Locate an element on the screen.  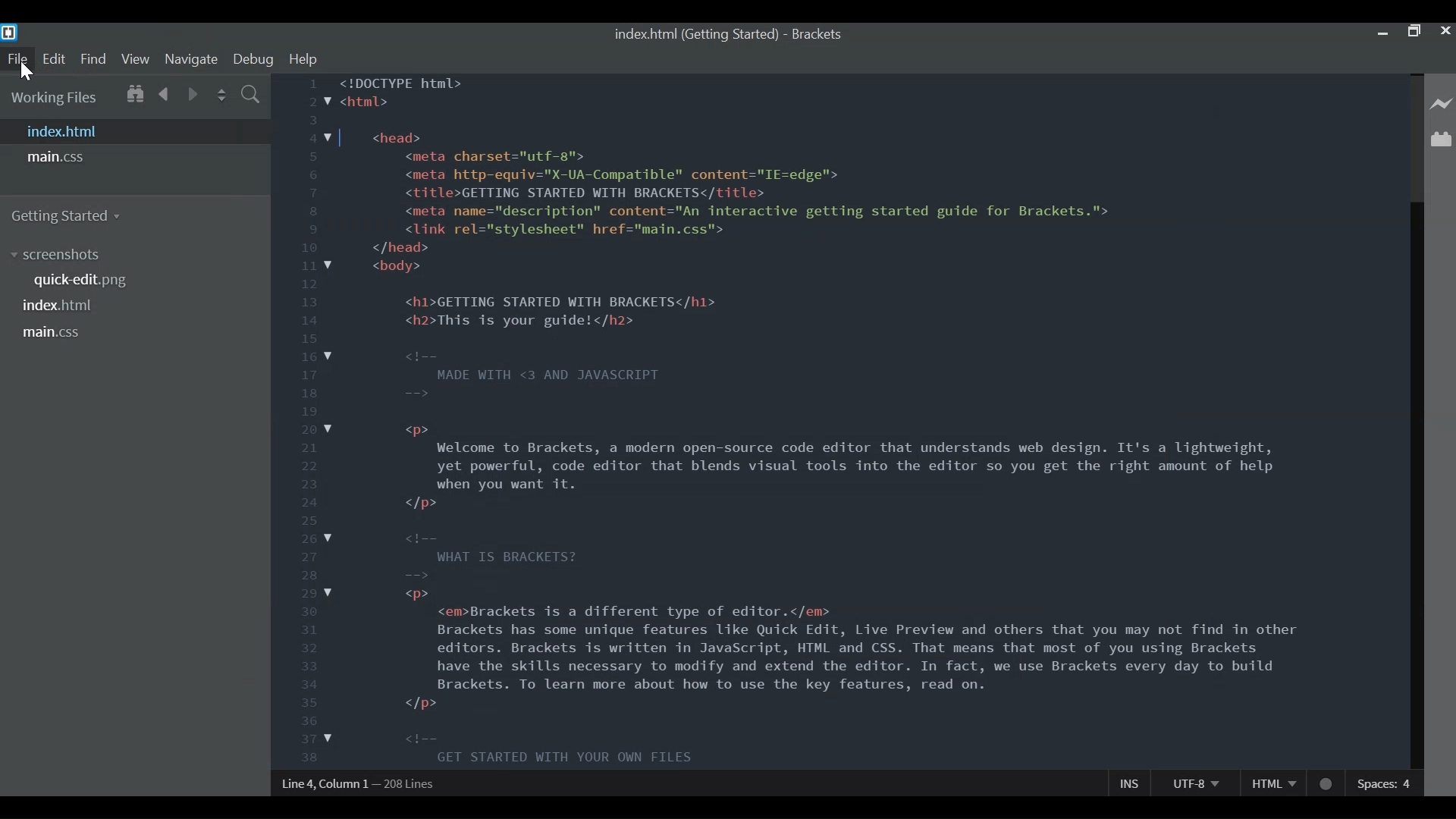
Brackets Desktop Icon is located at coordinates (10, 33).